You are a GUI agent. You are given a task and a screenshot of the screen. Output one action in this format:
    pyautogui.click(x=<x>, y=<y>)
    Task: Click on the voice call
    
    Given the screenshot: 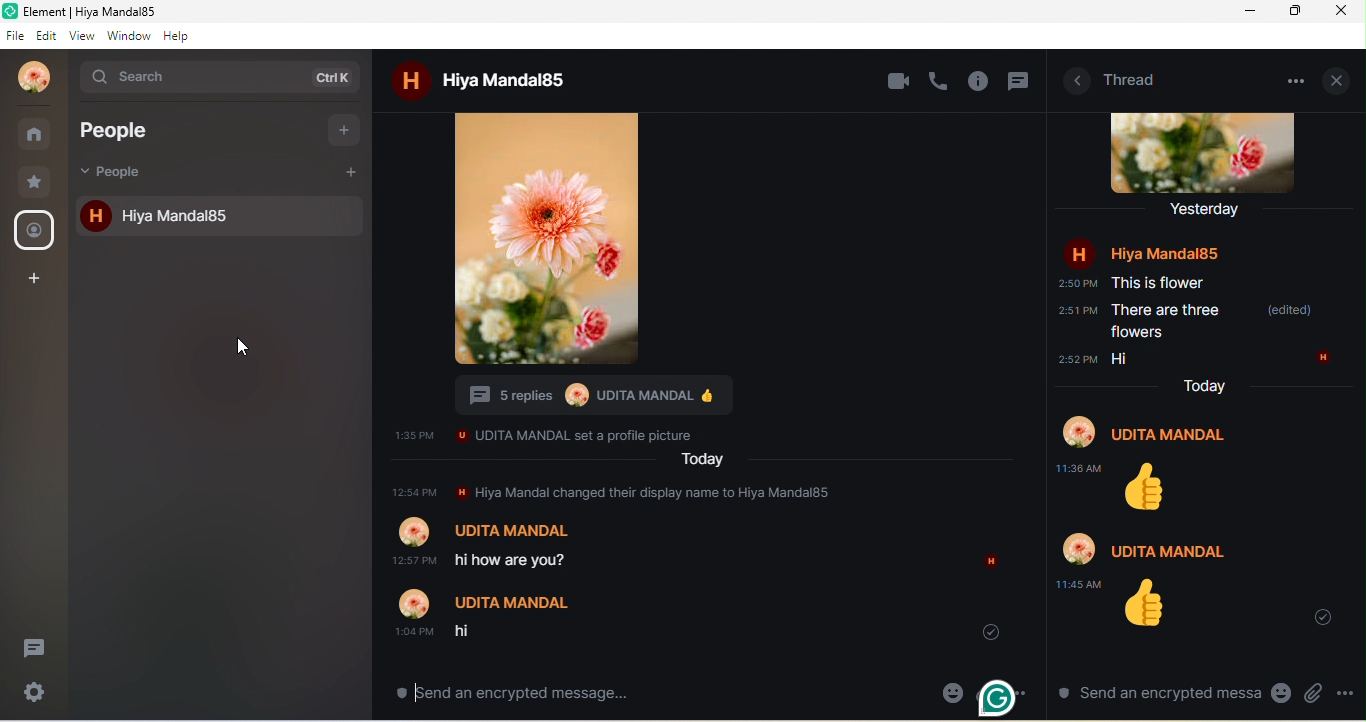 What is the action you would take?
    pyautogui.click(x=939, y=80)
    